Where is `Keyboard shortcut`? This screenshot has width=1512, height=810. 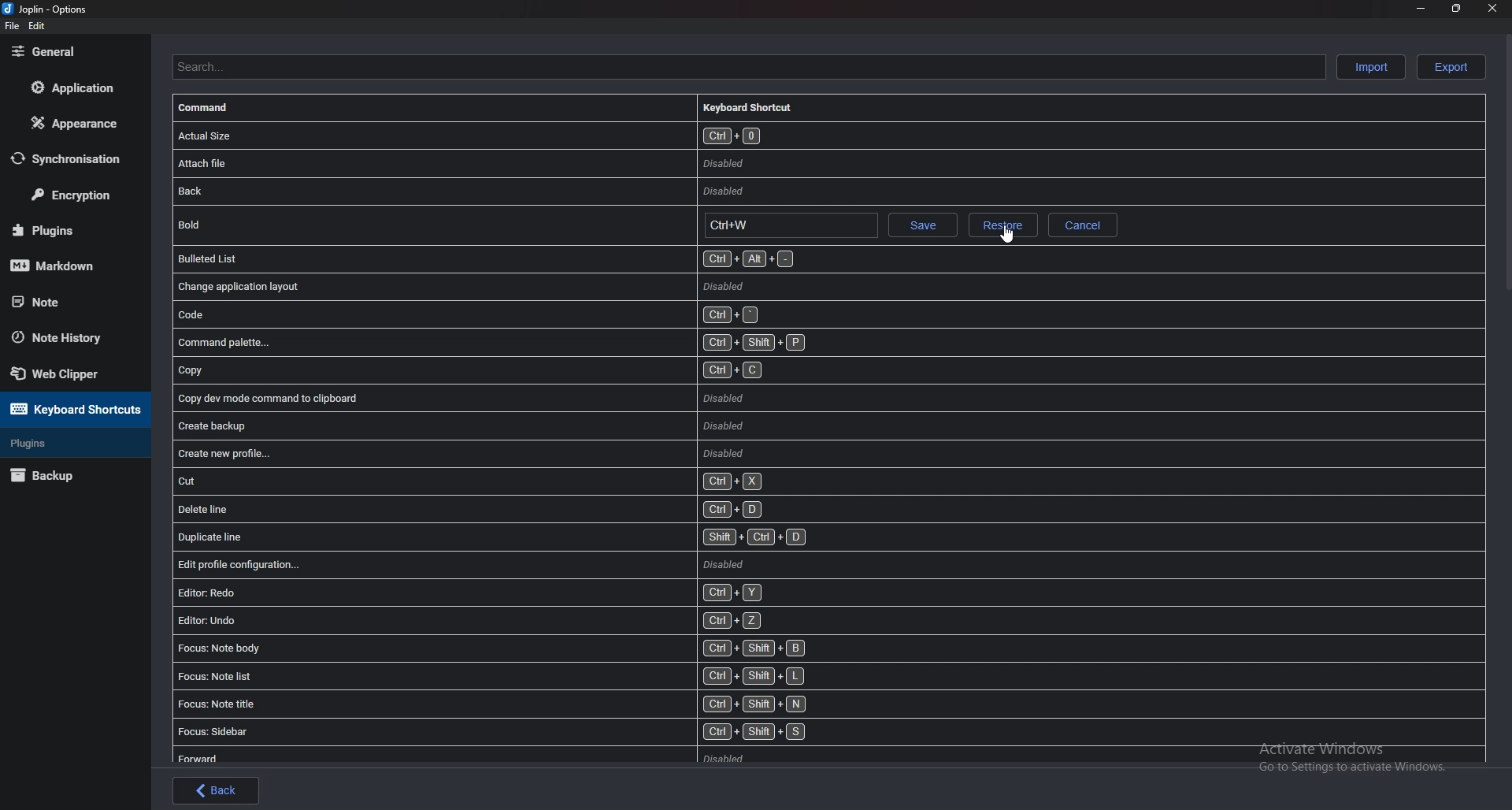 Keyboard shortcut is located at coordinates (756, 106).